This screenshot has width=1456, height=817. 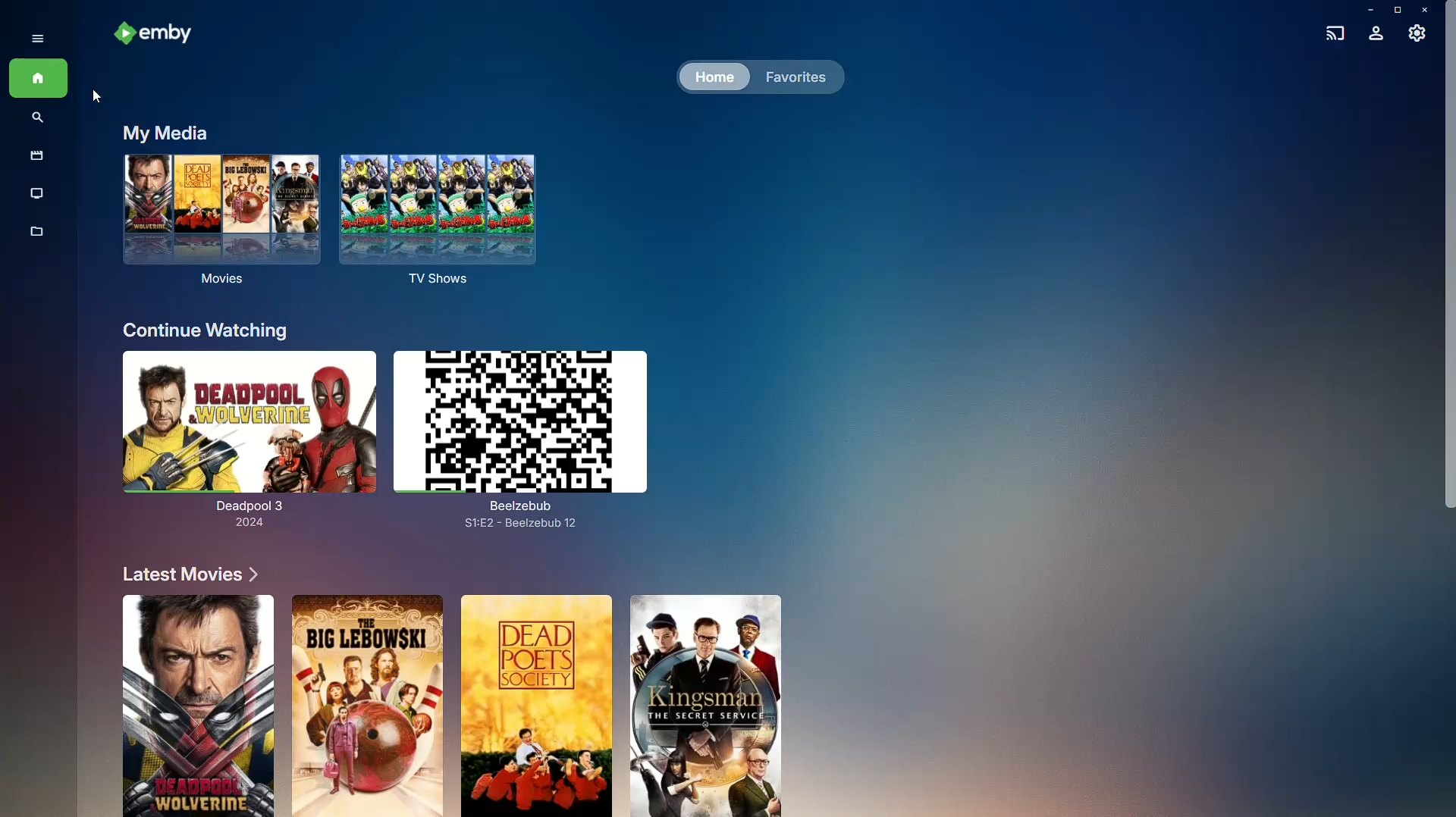 I want to click on Cast, so click(x=1332, y=31).